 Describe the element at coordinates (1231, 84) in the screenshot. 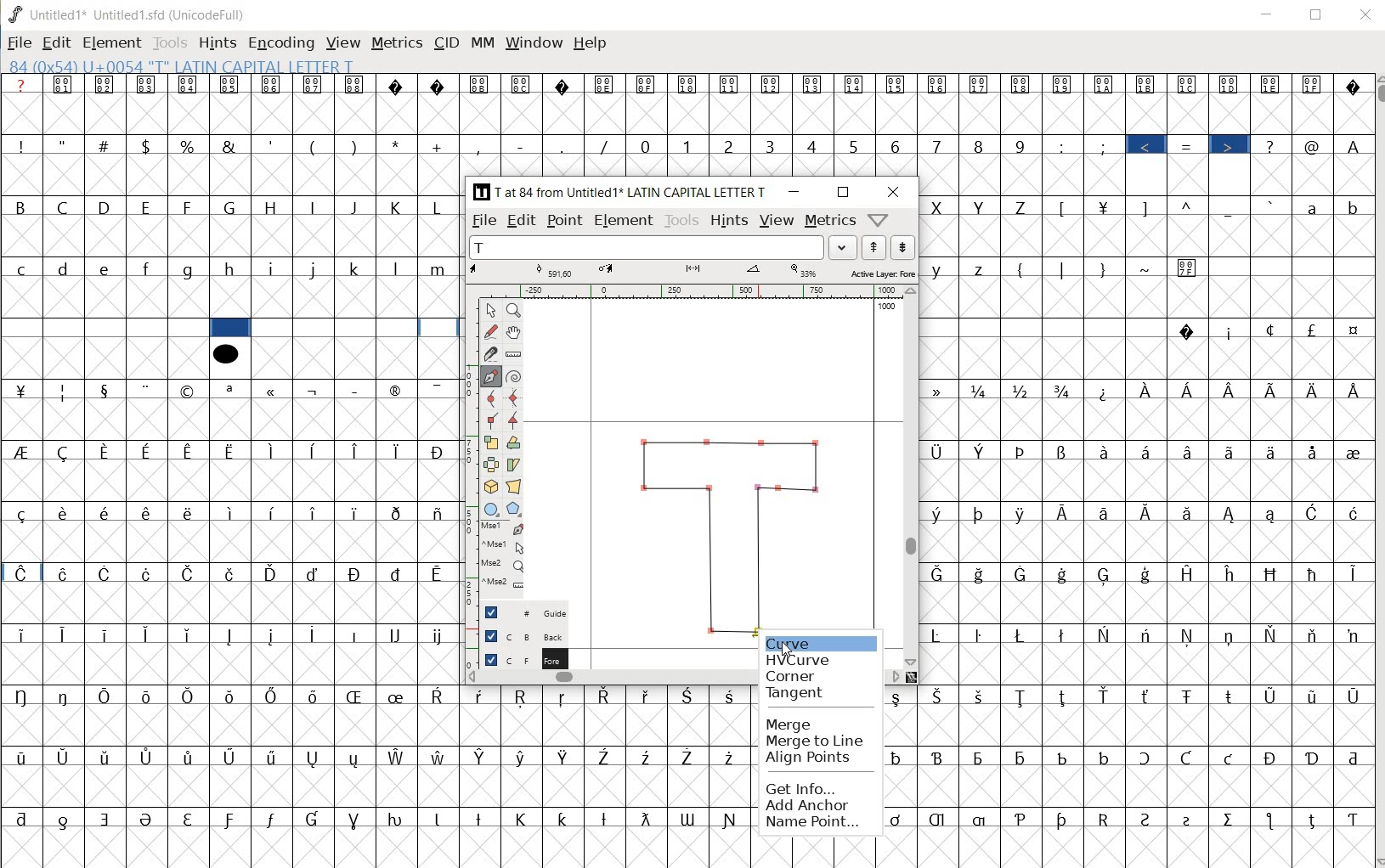

I see `Symbol` at that location.